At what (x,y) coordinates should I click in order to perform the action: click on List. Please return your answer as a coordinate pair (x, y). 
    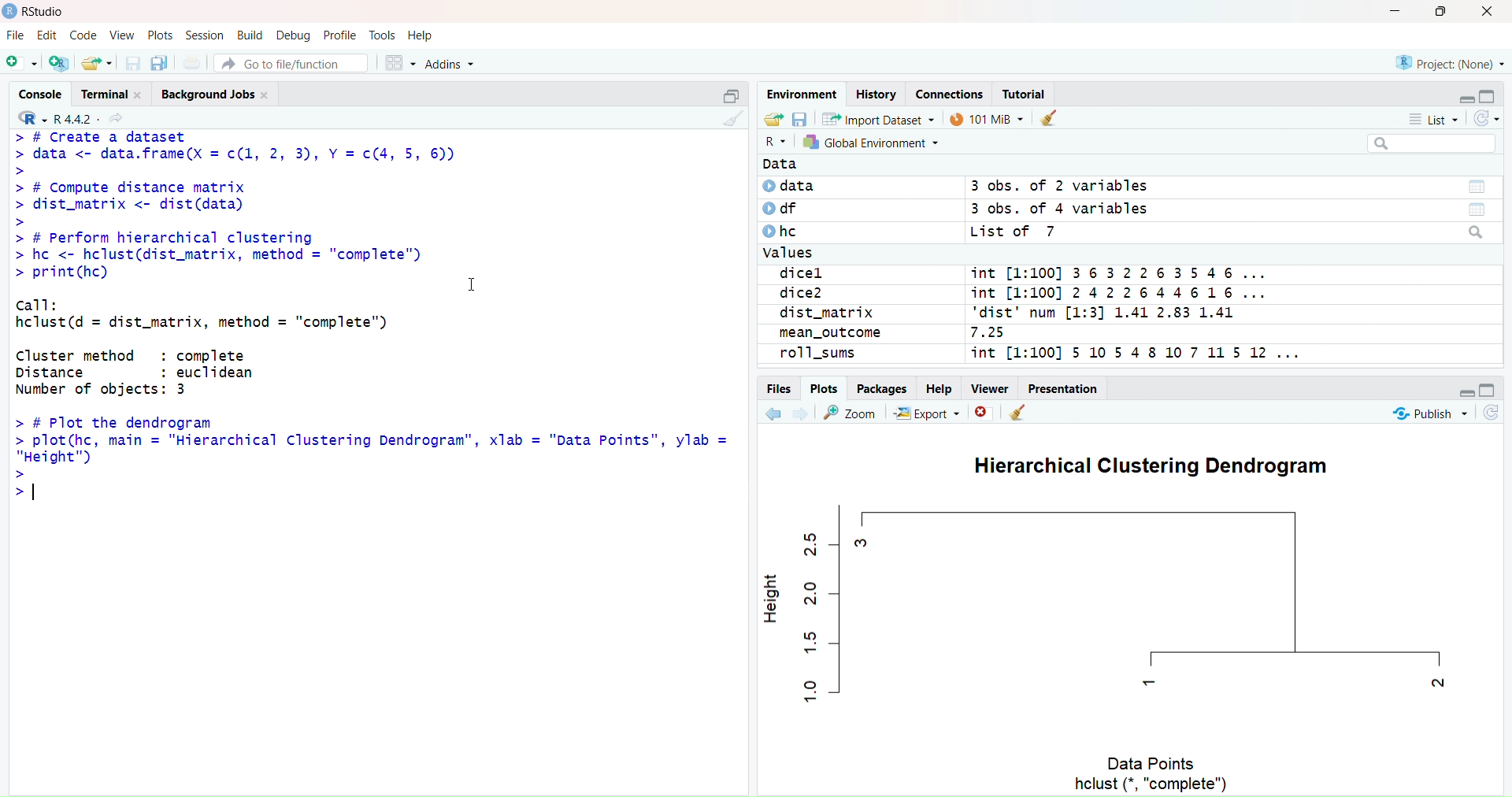
    Looking at the image, I should click on (1432, 118).